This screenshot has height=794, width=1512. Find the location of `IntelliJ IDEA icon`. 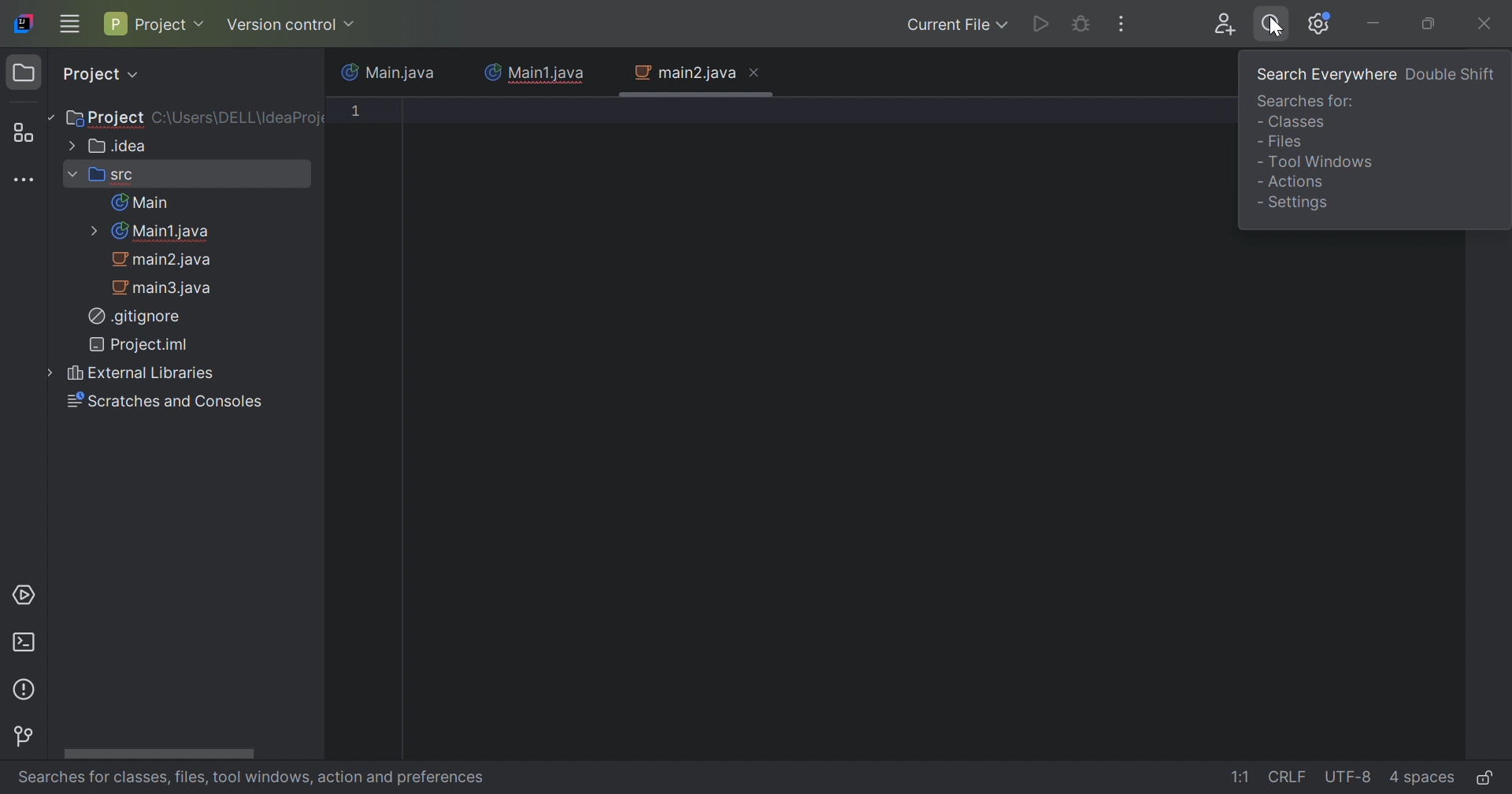

IntelliJ IDEA icon is located at coordinates (27, 23).